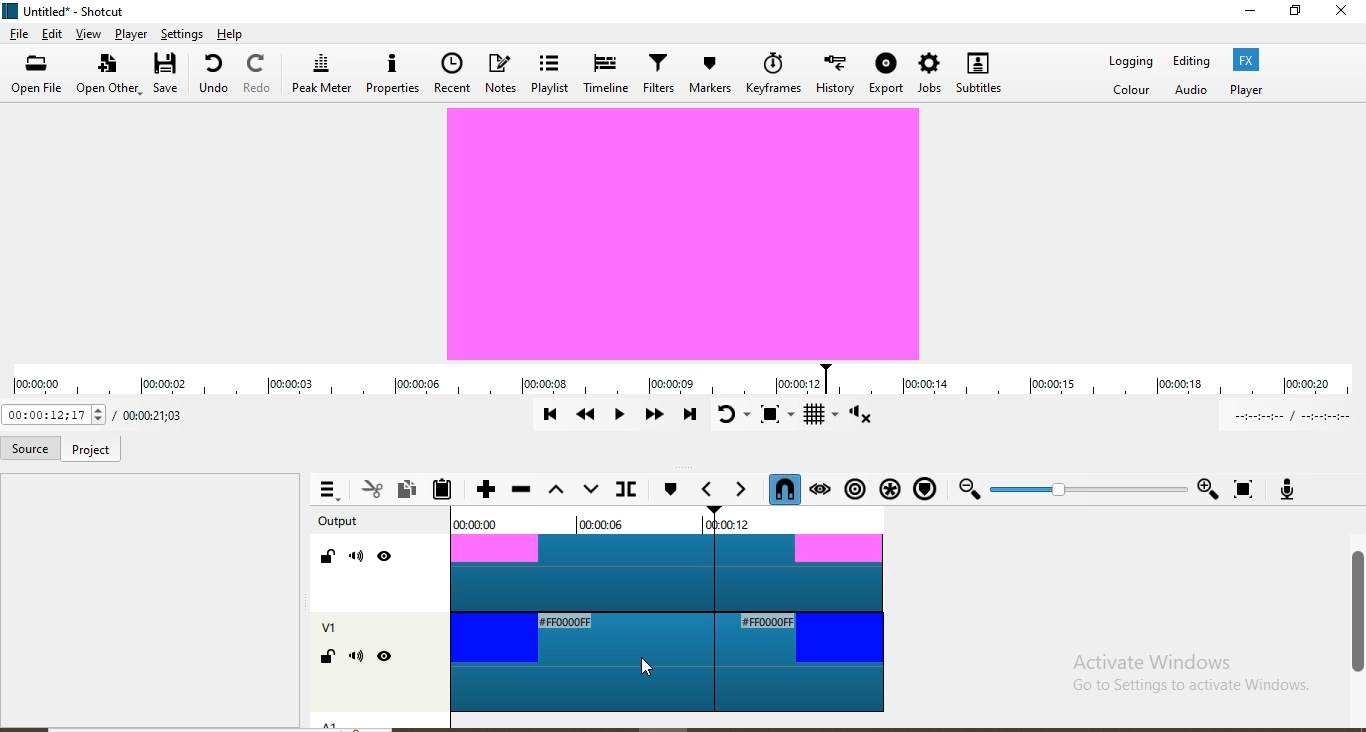  Describe the element at coordinates (744, 491) in the screenshot. I see `Next marker` at that location.